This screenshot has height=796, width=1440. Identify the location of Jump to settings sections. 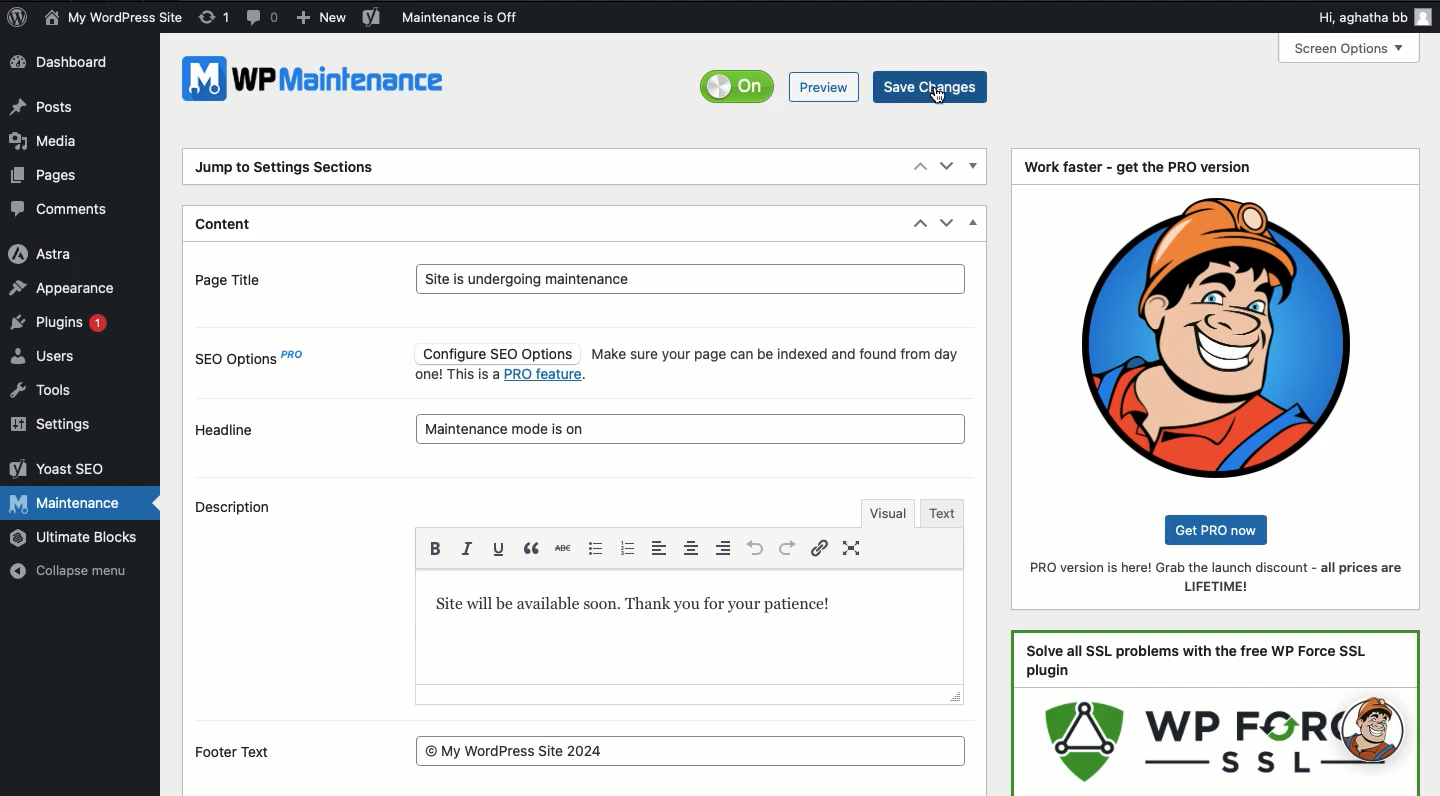
(290, 170).